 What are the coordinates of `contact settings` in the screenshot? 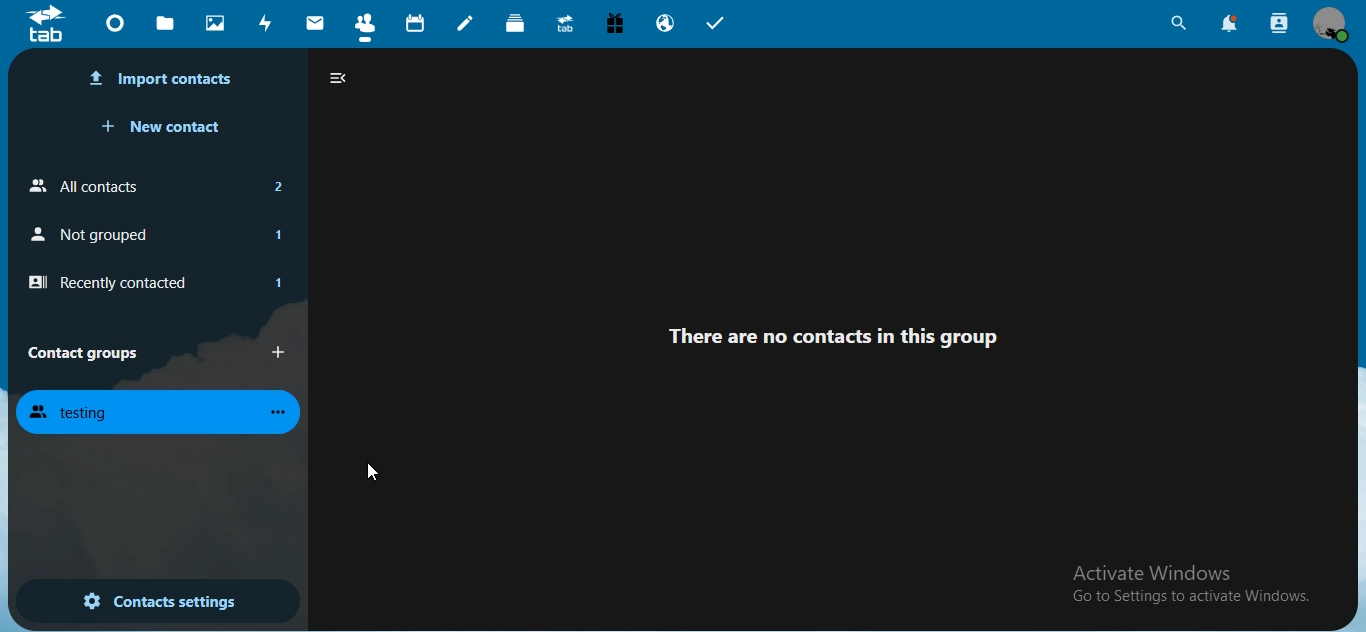 It's located at (159, 603).